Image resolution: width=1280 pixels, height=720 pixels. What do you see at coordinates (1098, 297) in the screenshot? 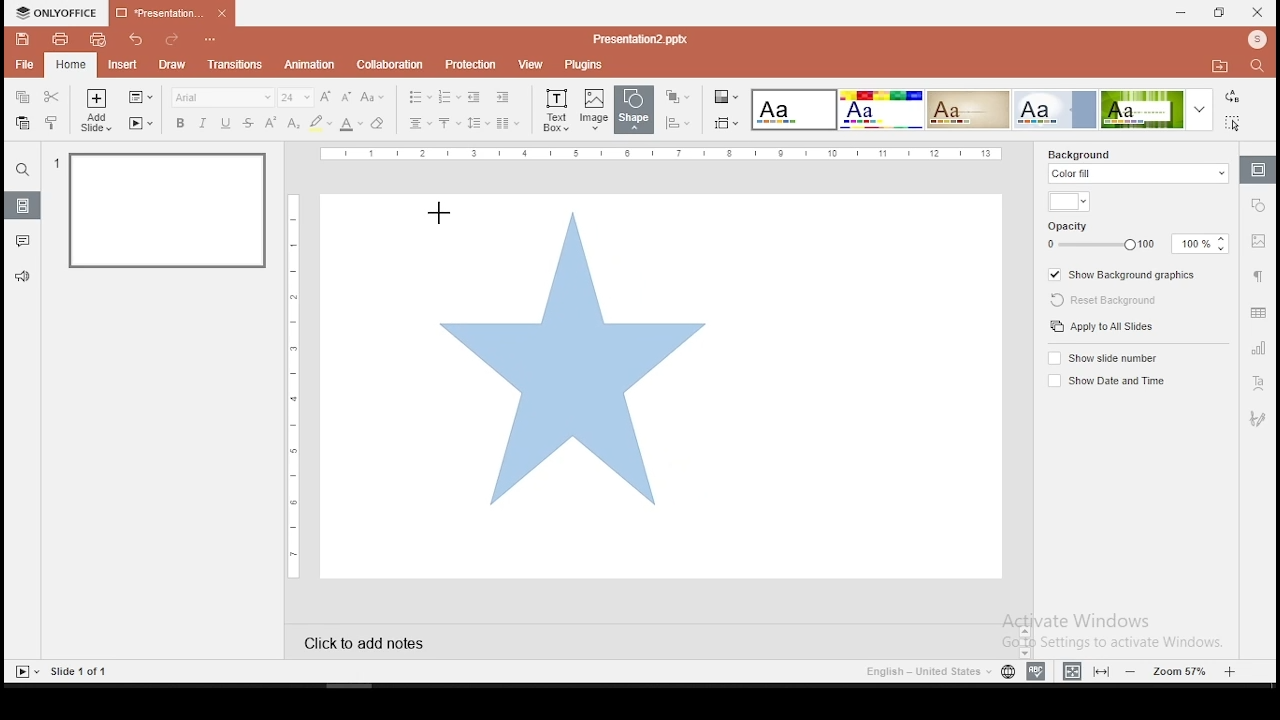
I see `reset background` at bounding box center [1098, 297].